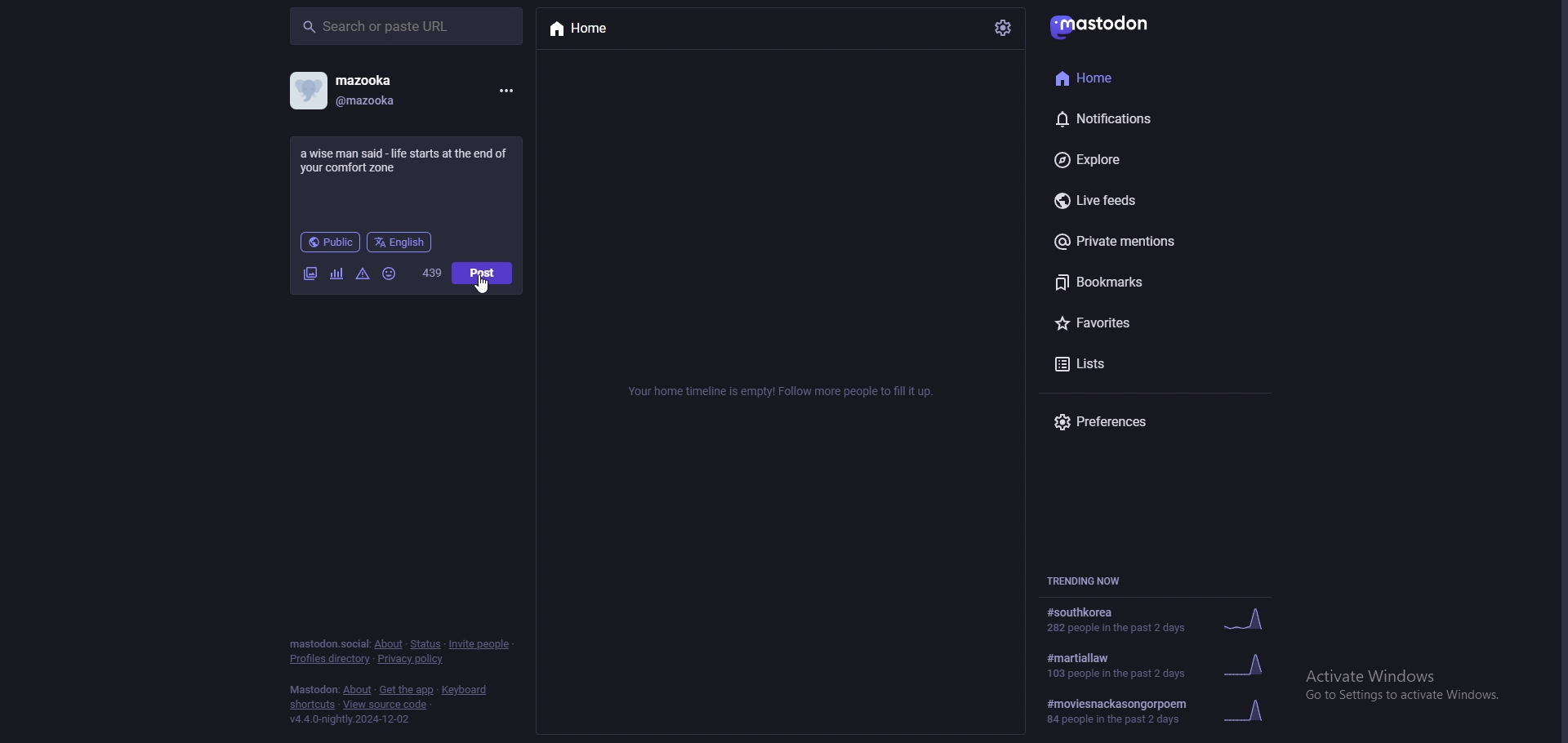  What do you see at coordinates (390, 705) in the screenshot?
I see `View source code` at bounding box center [390, 705].